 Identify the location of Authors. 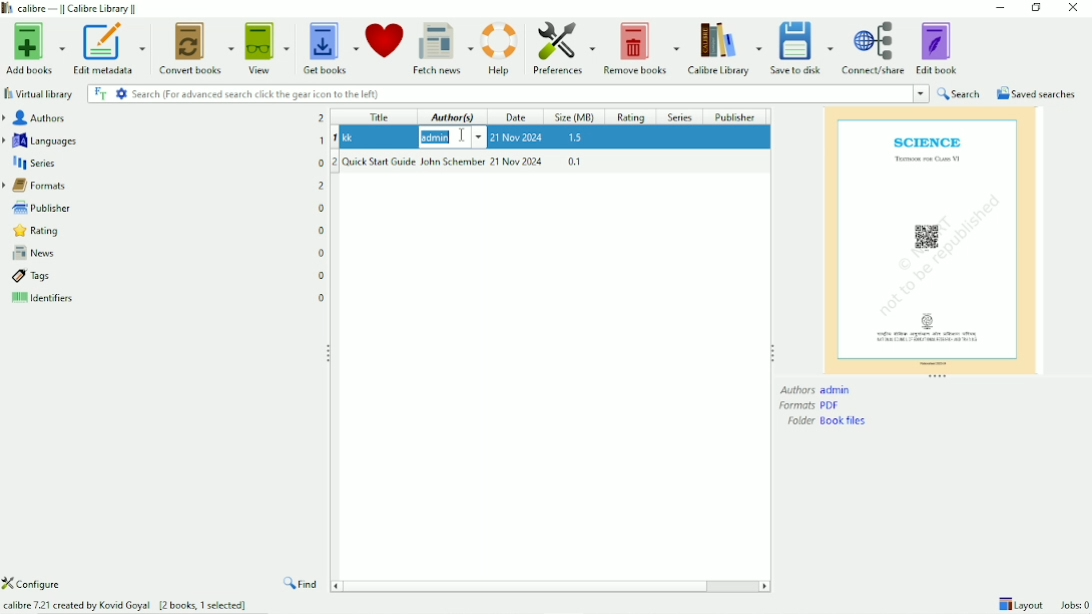
(165, 118).